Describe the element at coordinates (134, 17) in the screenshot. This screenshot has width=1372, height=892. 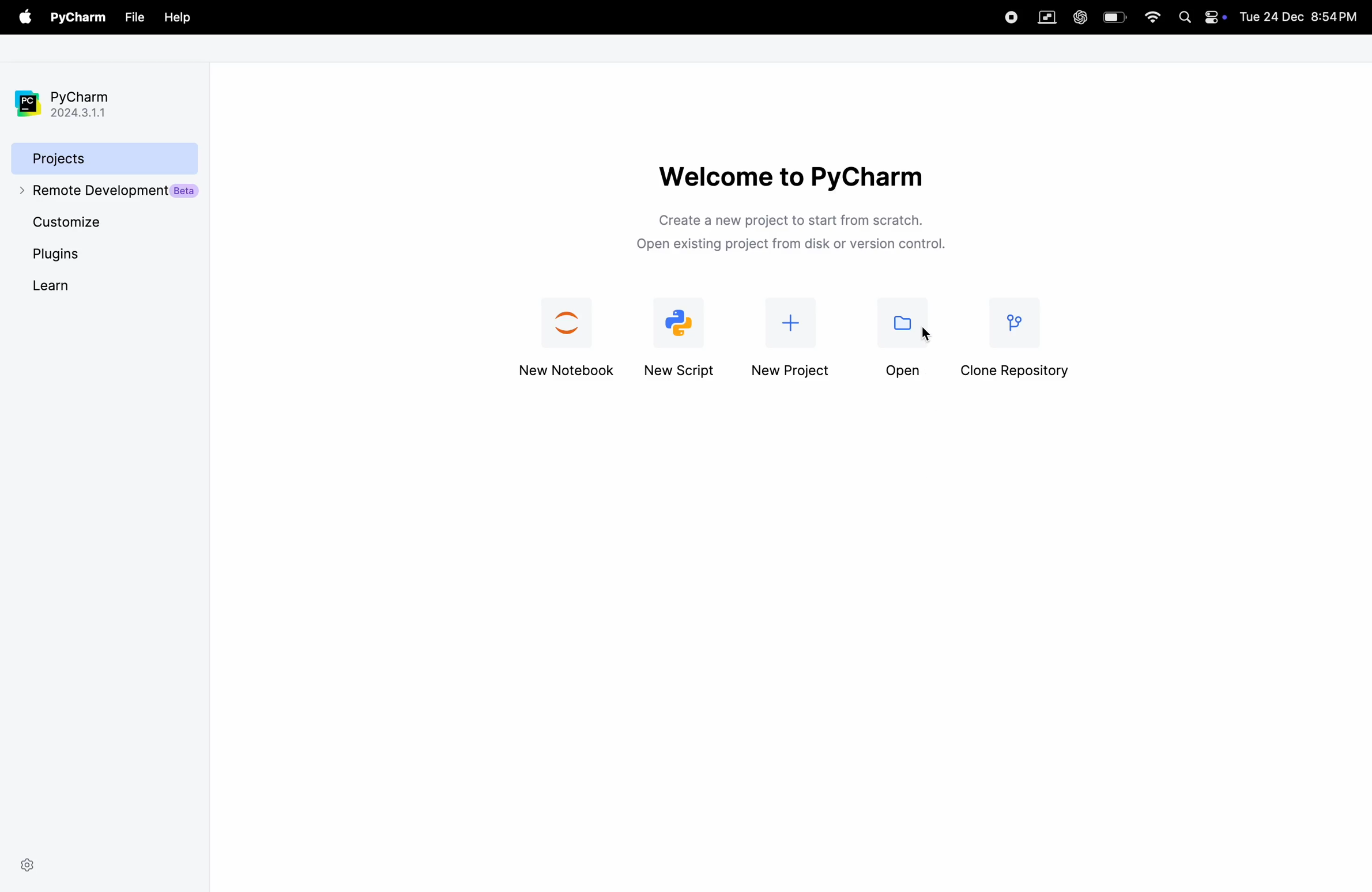
I see `file` at that location.